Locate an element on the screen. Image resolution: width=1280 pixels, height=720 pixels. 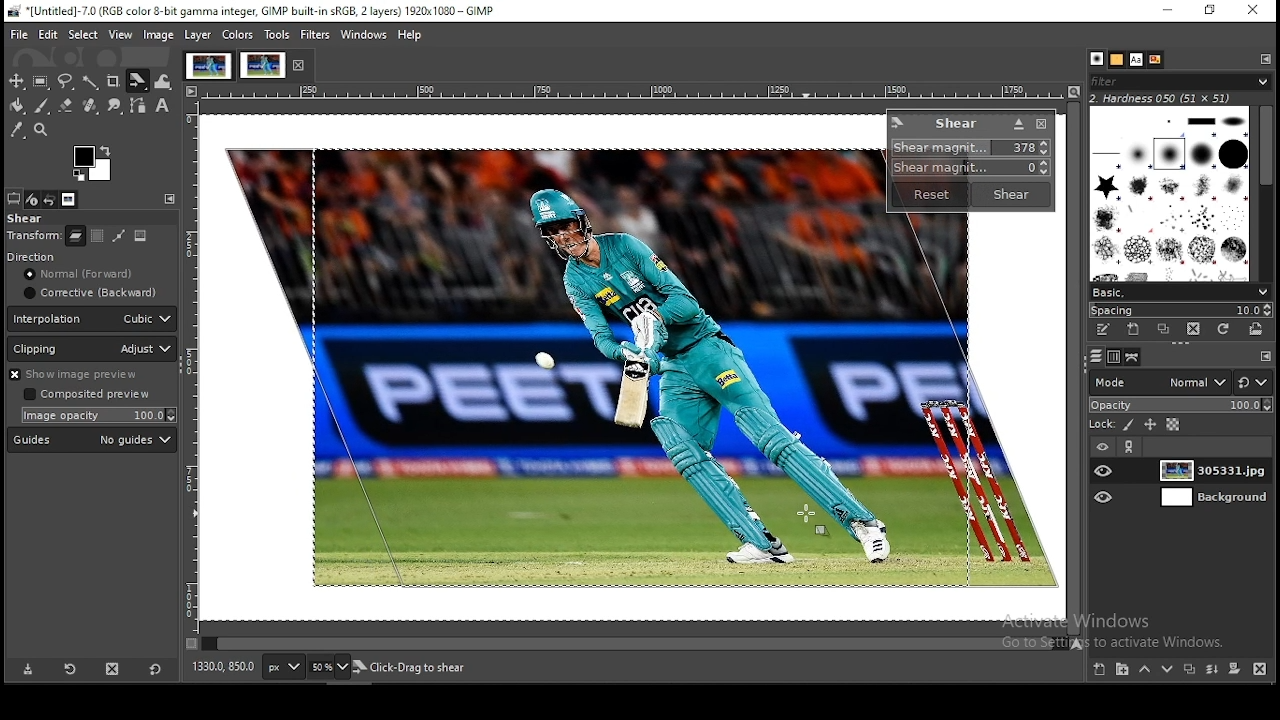
paths is located at coordinates (1095, 356).